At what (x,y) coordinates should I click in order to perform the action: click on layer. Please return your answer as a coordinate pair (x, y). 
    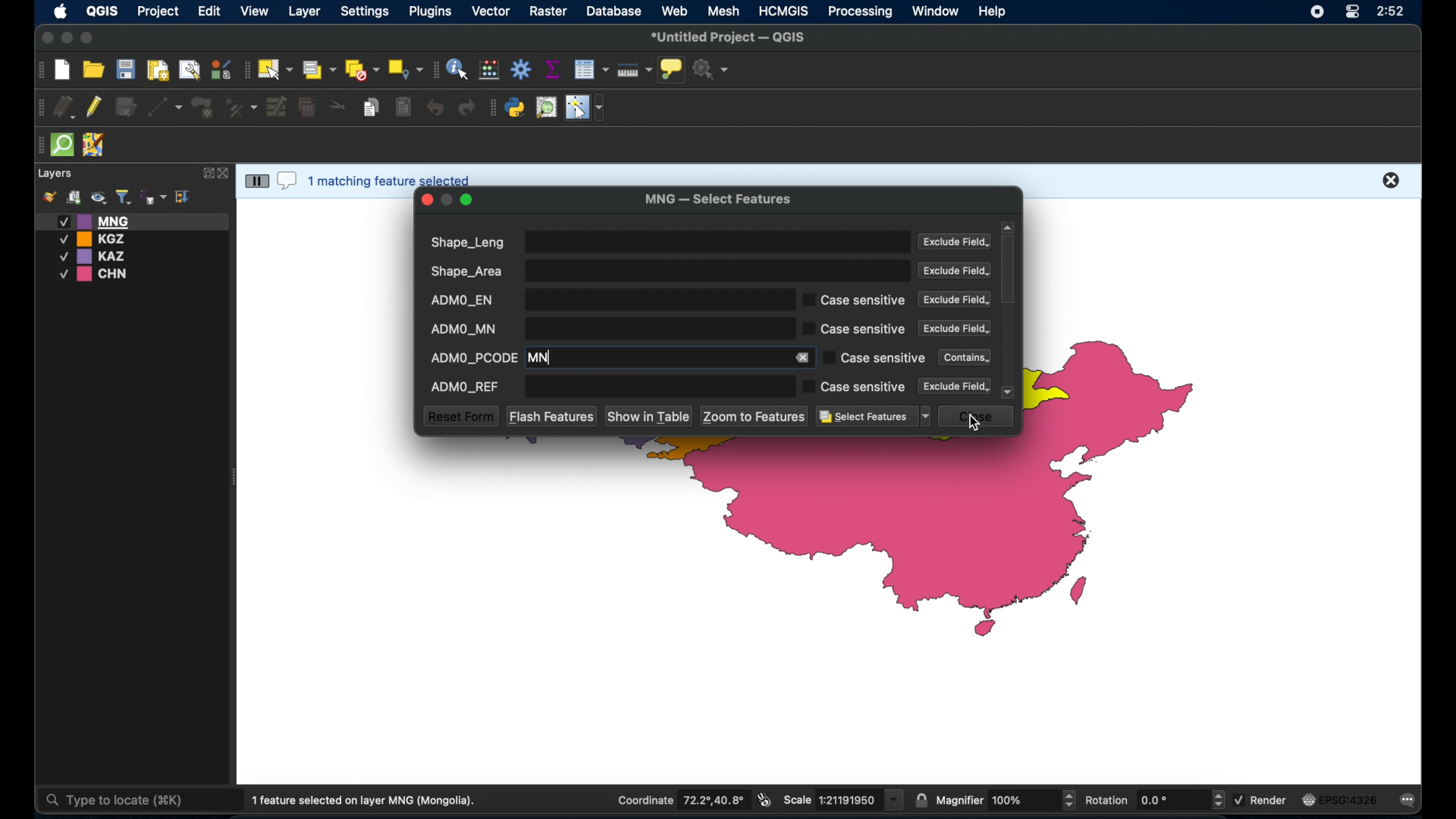
    Looking at the image, I should click on (303, 11).